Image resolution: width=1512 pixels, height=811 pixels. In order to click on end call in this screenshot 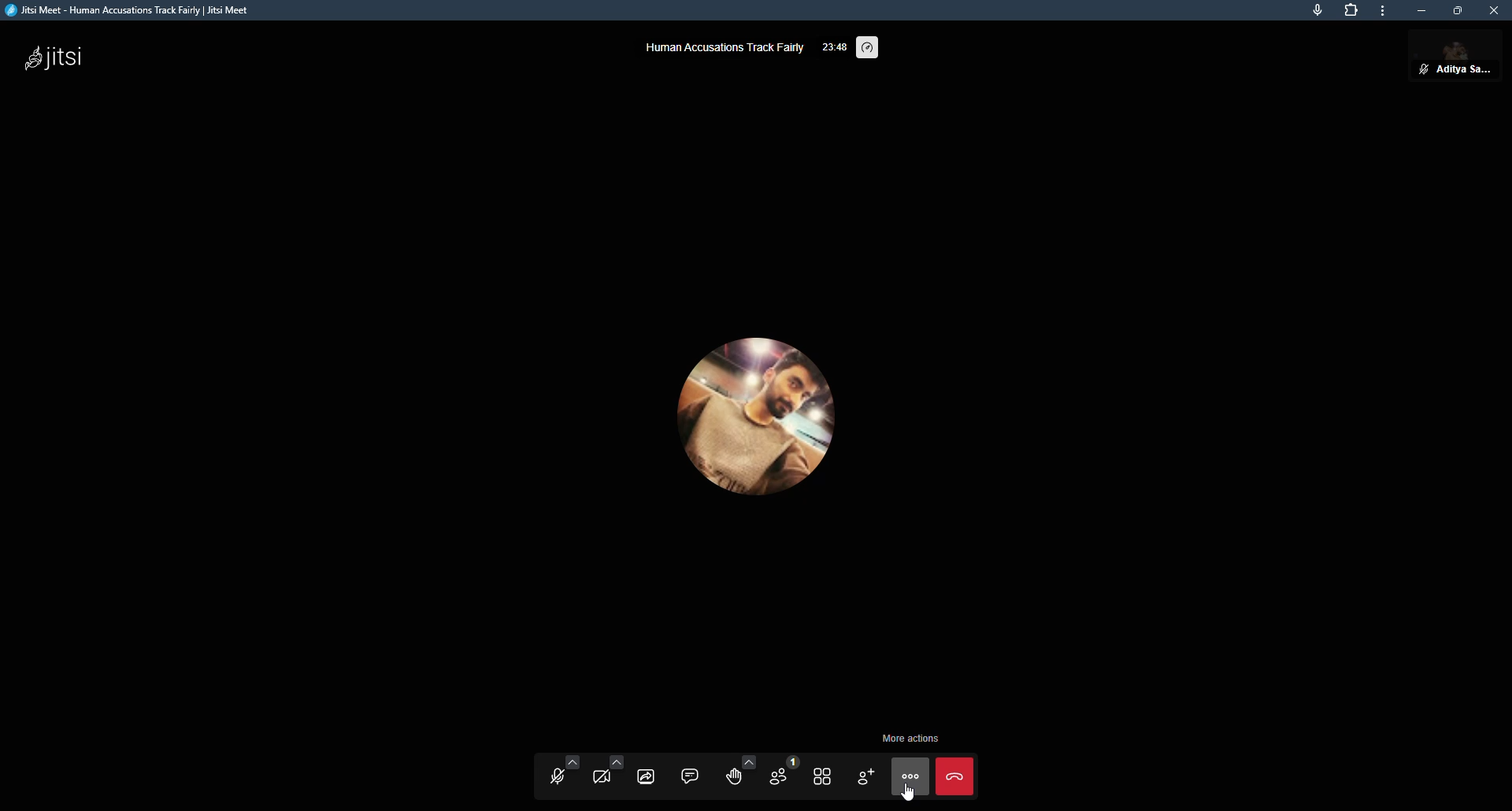, I will do `click(954, 775)`.